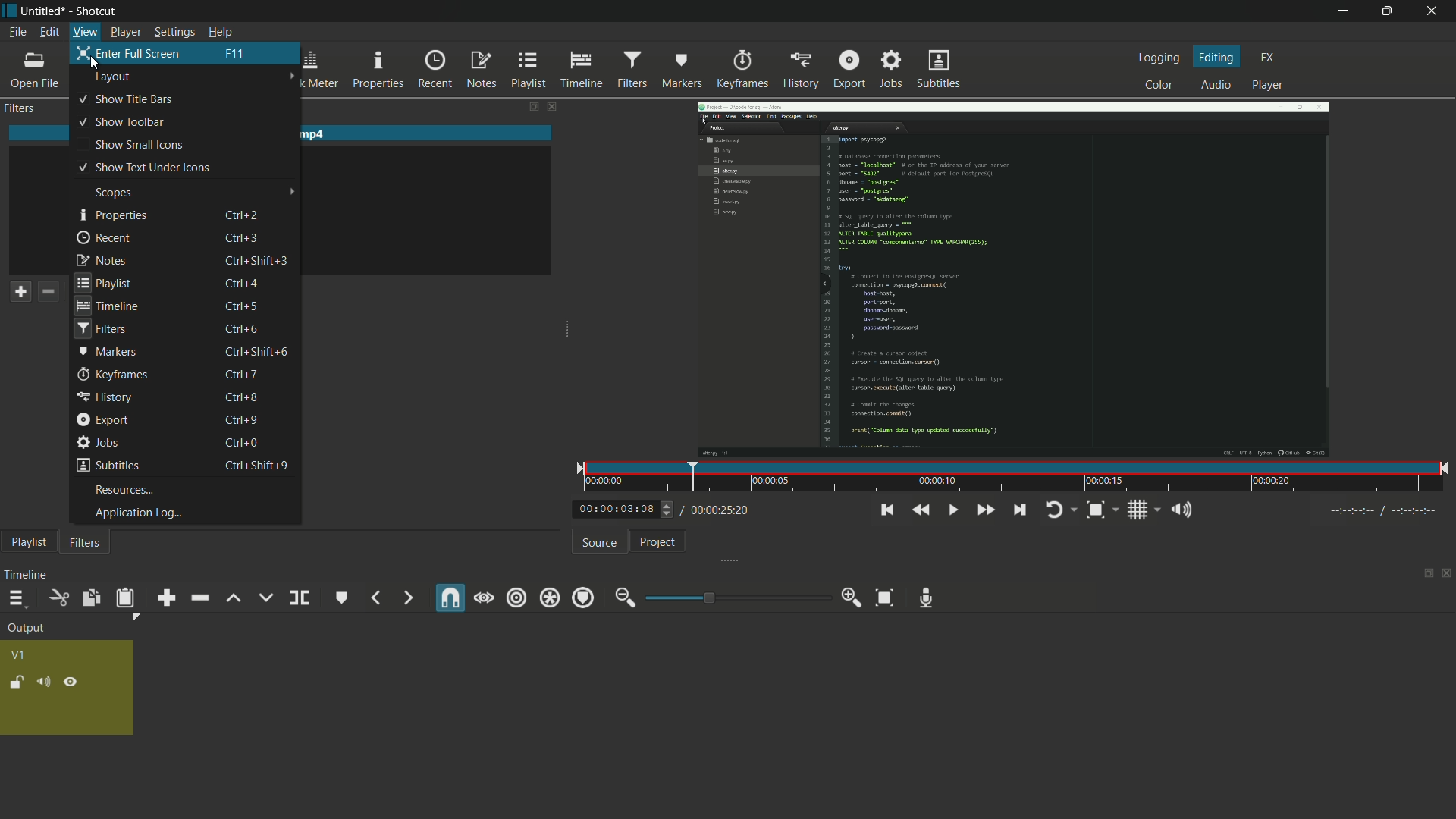 The width and height of the screenshot is (1456, 819). What do you see at coordinates (25, 576) in the screenshot?
I see `timeline` at bounding box center [25, 576].